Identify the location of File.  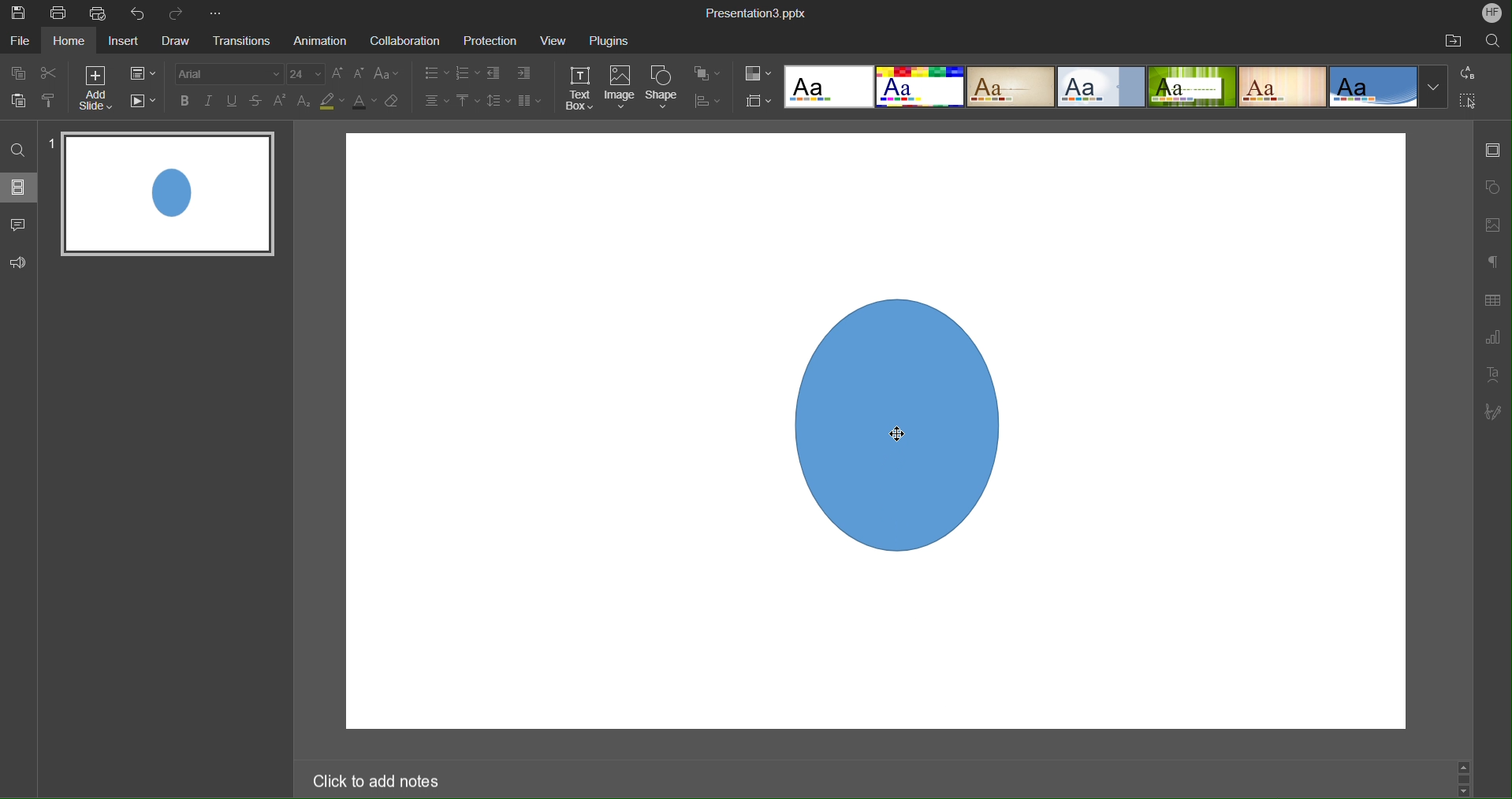
(19, 41).